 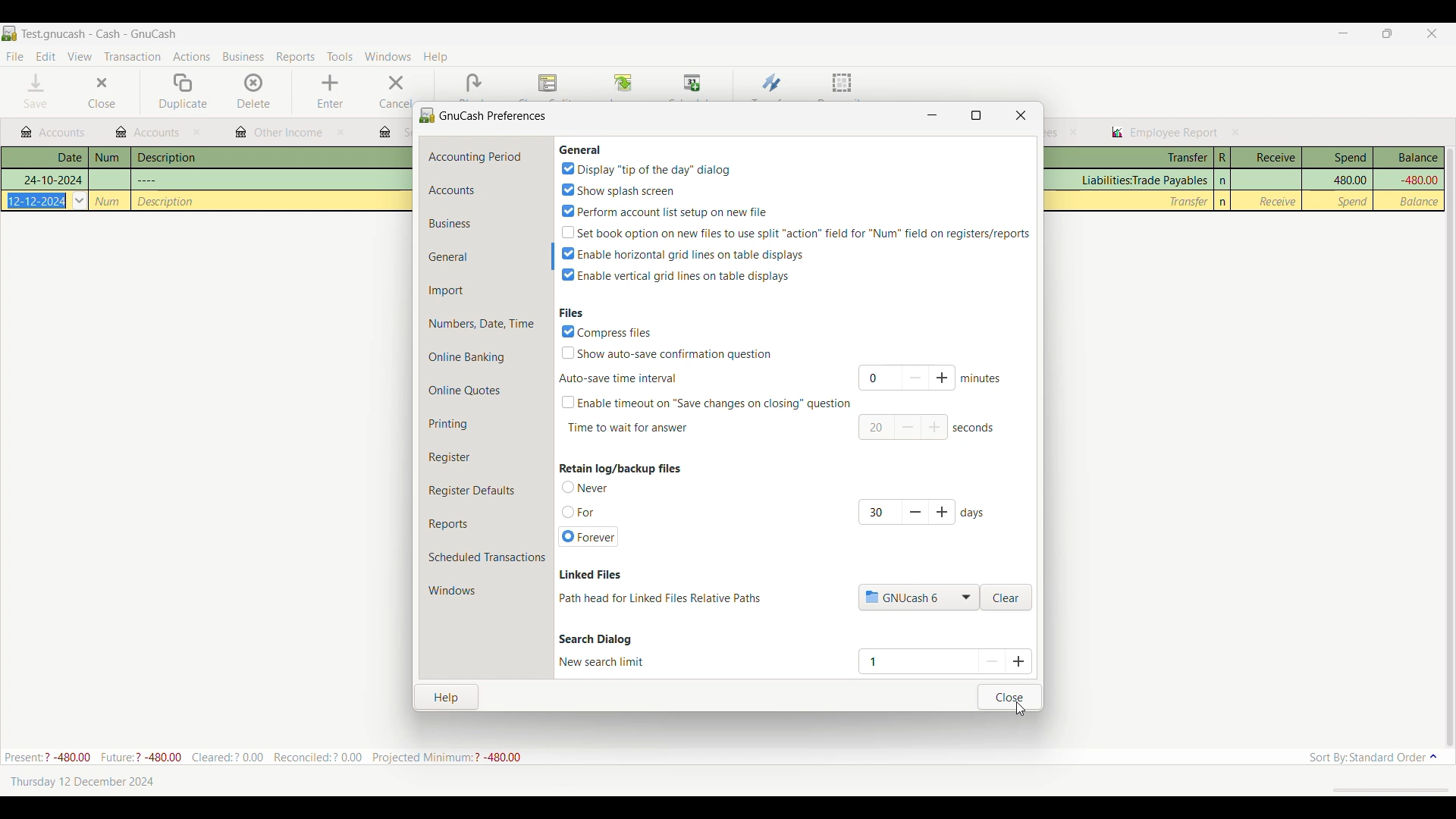 I want to click on Indicates setting under current section, so click(x=602, y=661).